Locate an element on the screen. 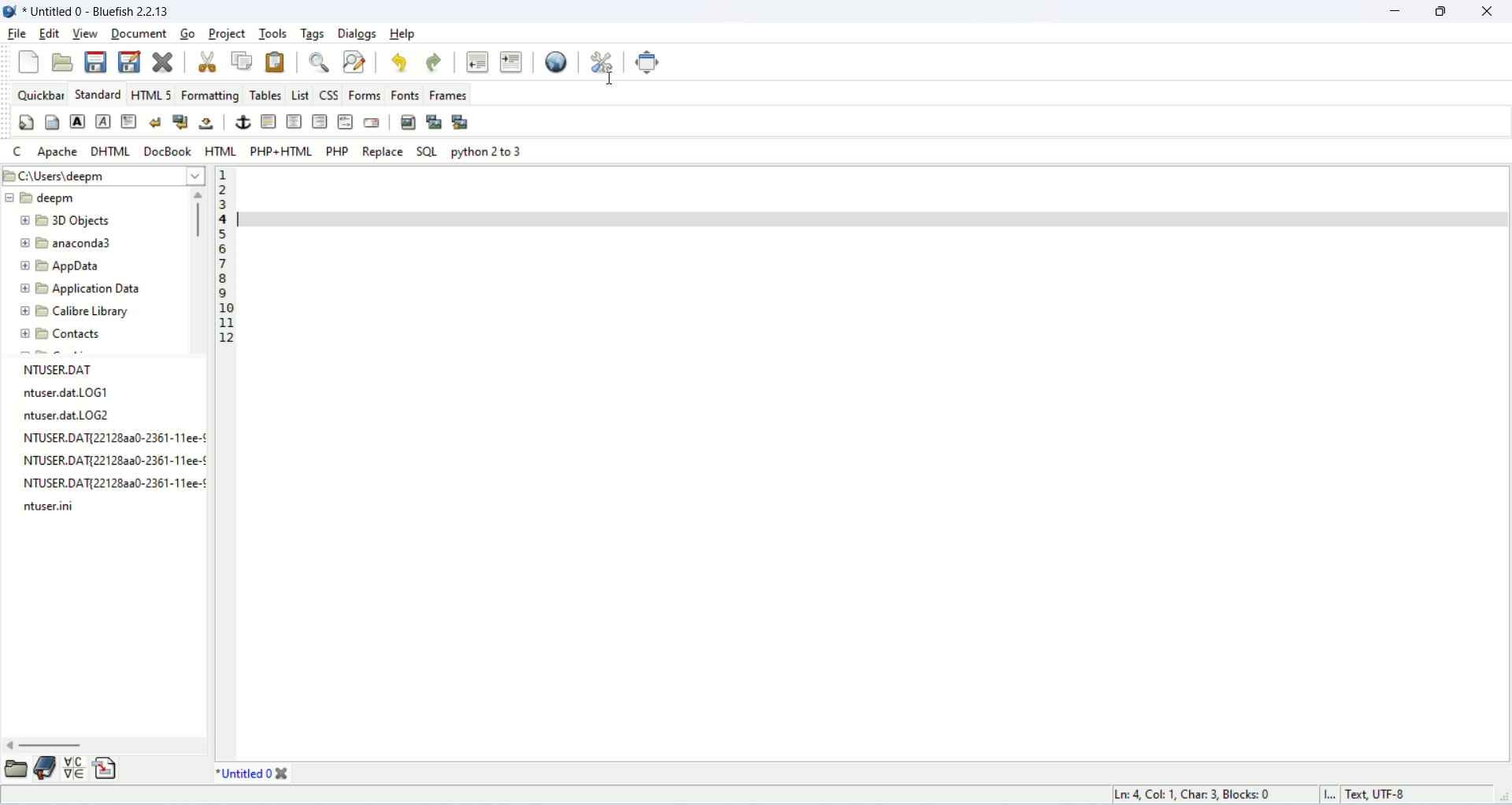 Image resolution: width=1512 pixels, height=805 pixels. minimize is located at coordinates (1395, 13).